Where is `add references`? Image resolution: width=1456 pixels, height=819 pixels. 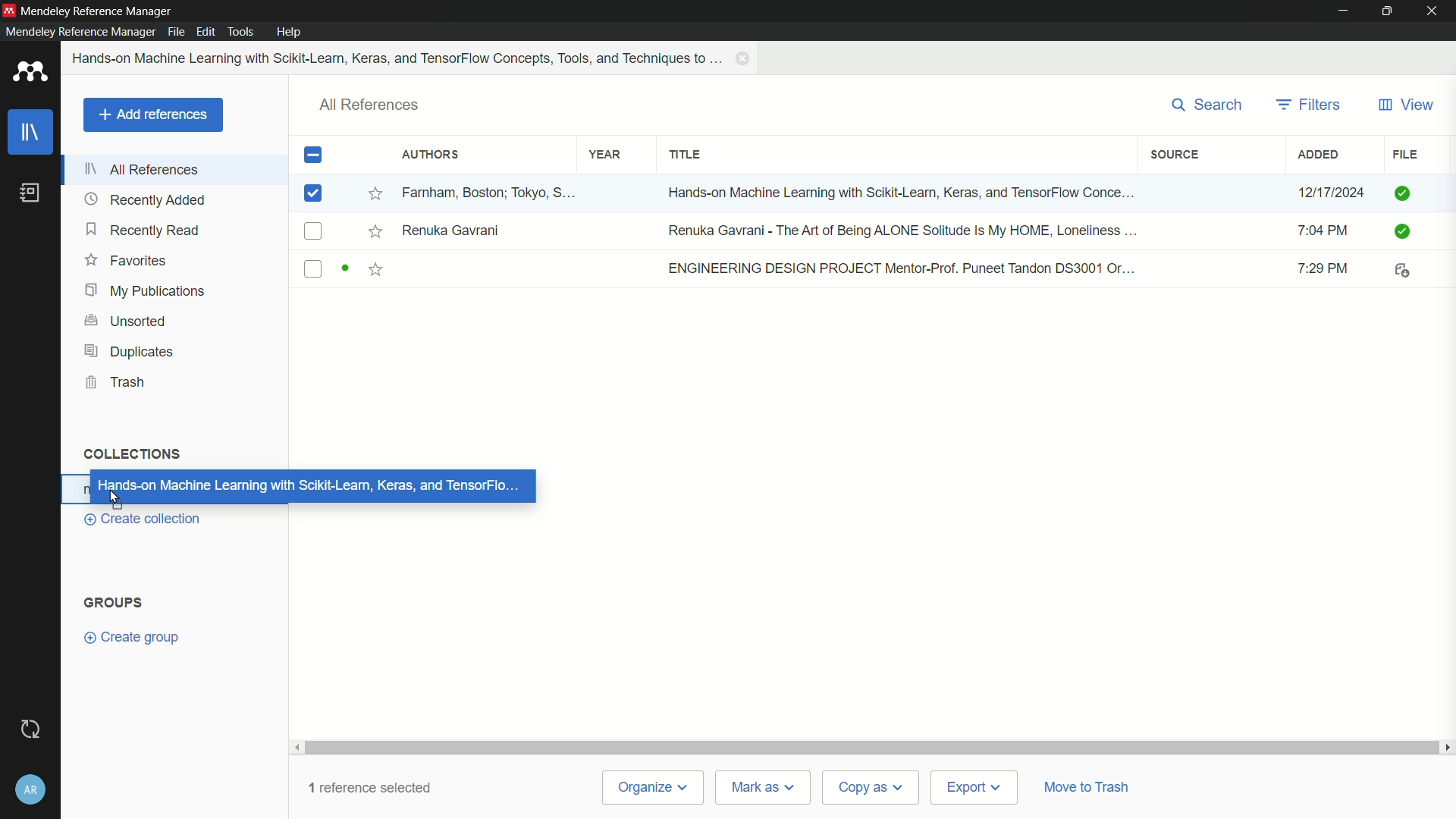 add references is located at coordinates (152, 115).